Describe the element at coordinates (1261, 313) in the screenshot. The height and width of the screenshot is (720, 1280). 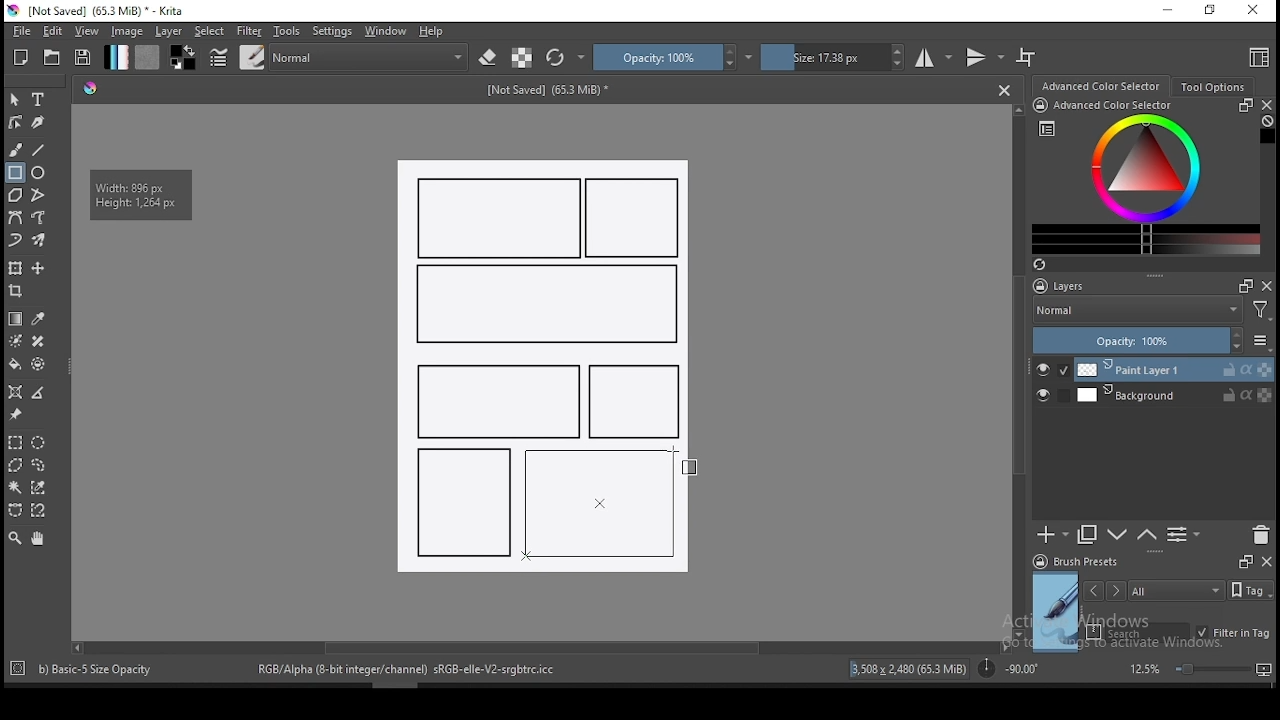
I see `Filter` at that location.